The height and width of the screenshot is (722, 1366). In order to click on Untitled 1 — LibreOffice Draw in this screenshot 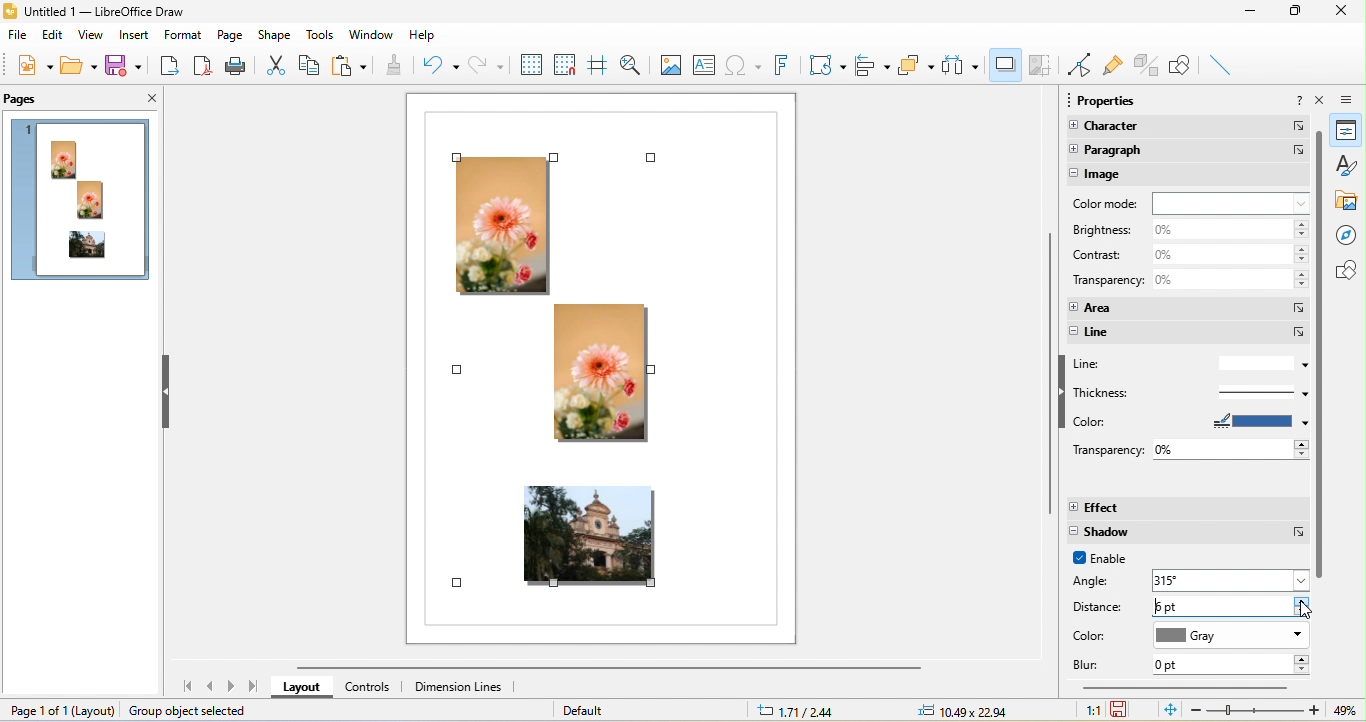, I will do `click(94, 12)`.